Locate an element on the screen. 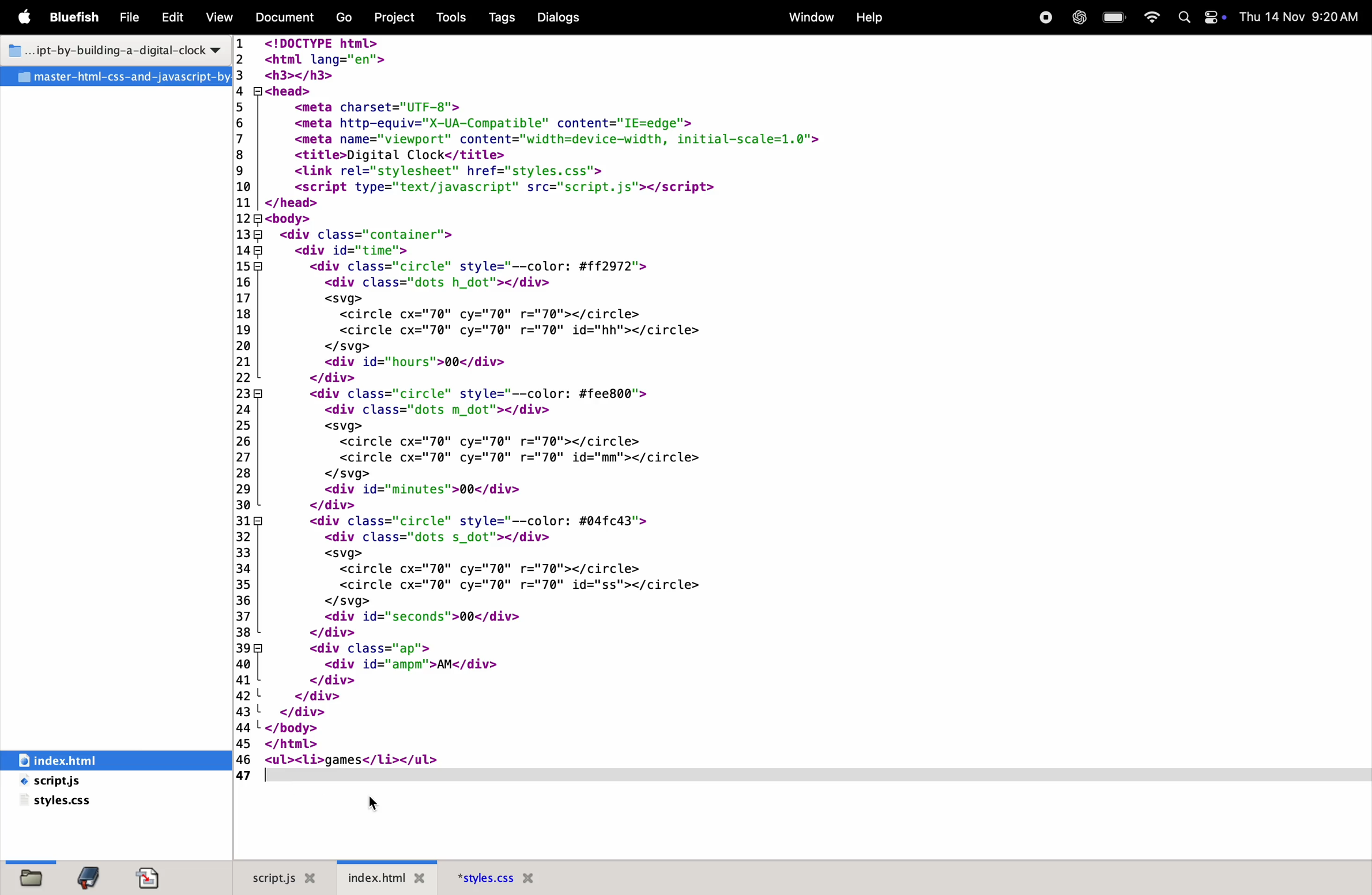  style.css is located at coordinates (61, 803).